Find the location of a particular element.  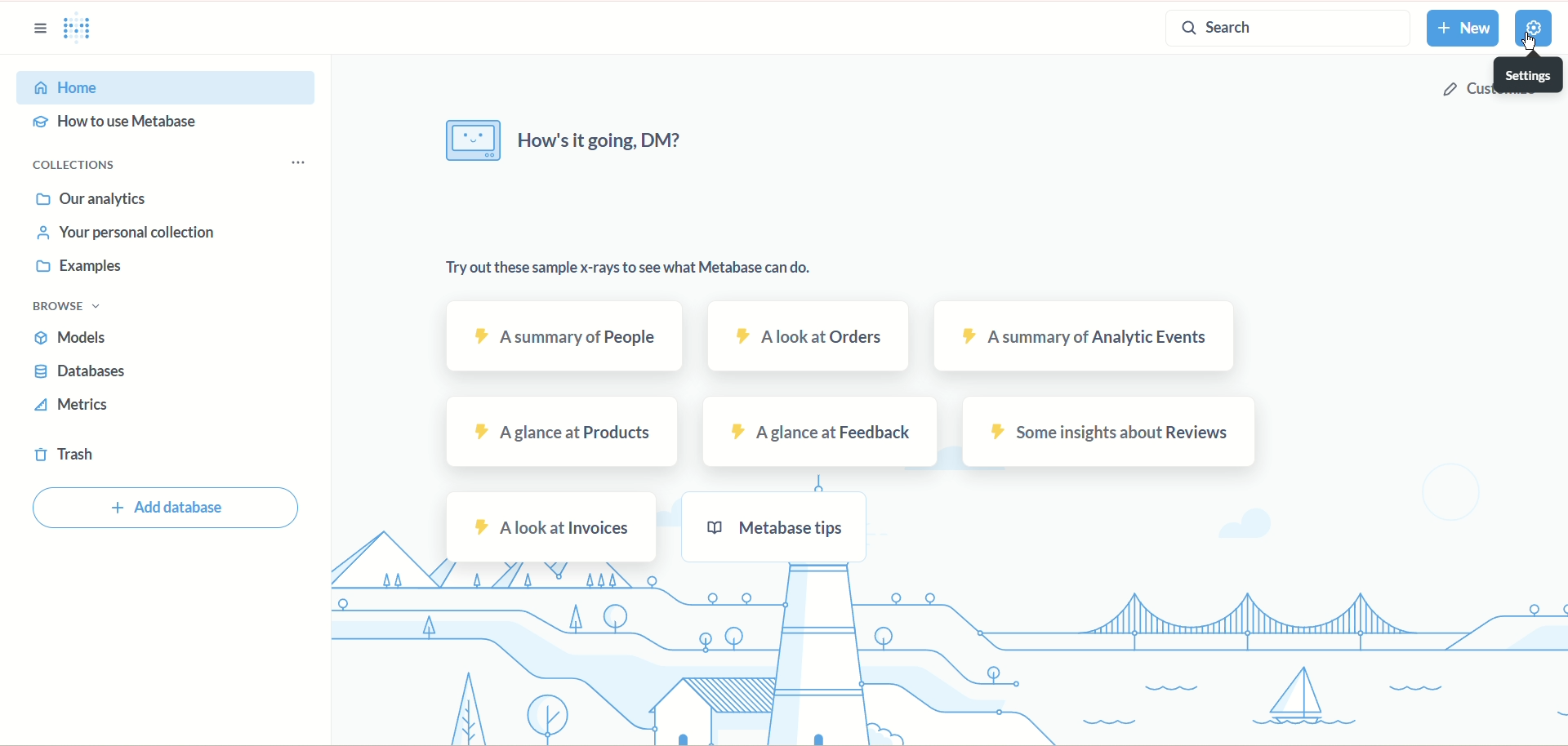

personal collection is located at coordinates (122, 233).